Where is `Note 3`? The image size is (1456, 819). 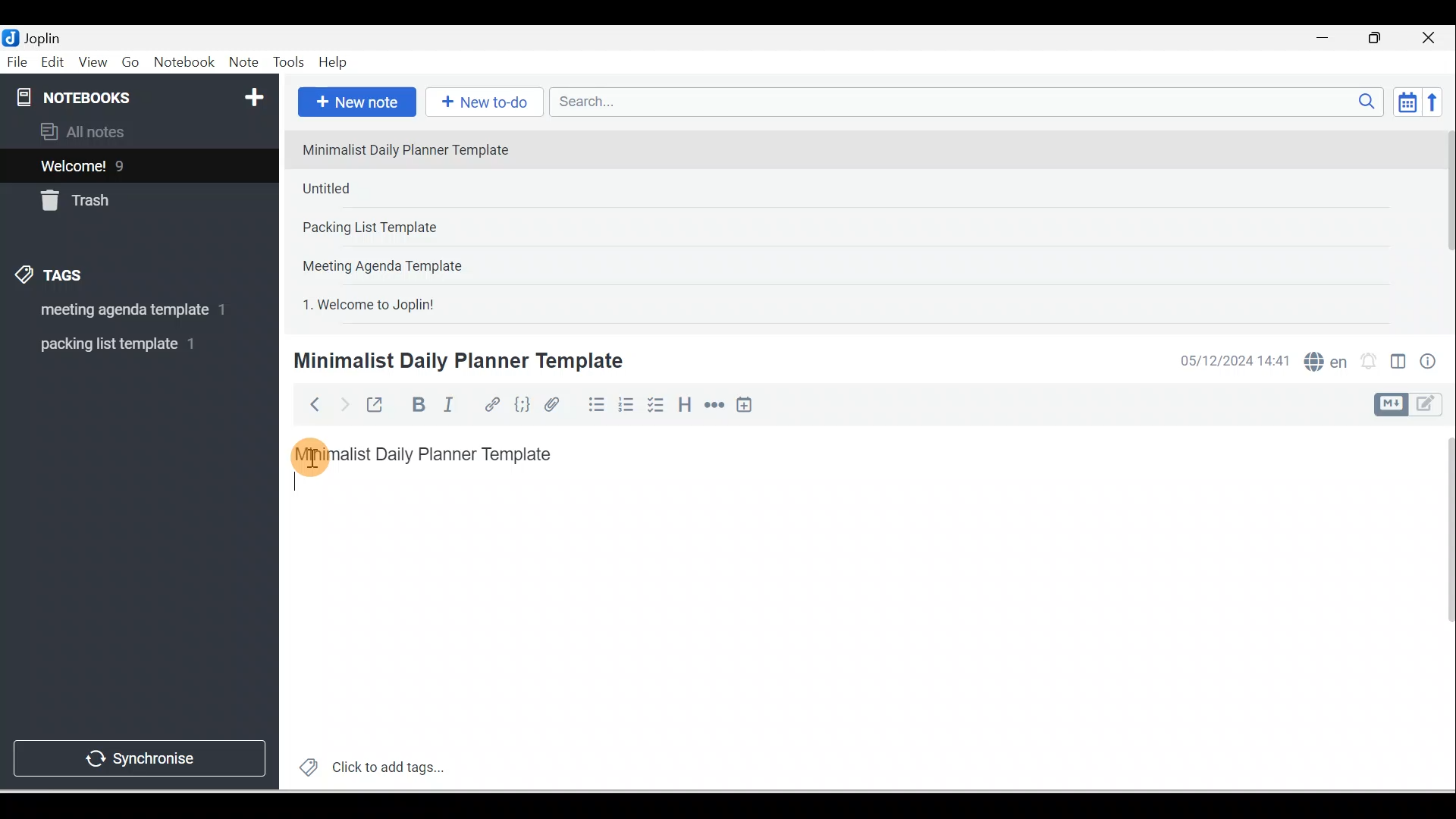
Note 3 is located at coordinates (418, 228).